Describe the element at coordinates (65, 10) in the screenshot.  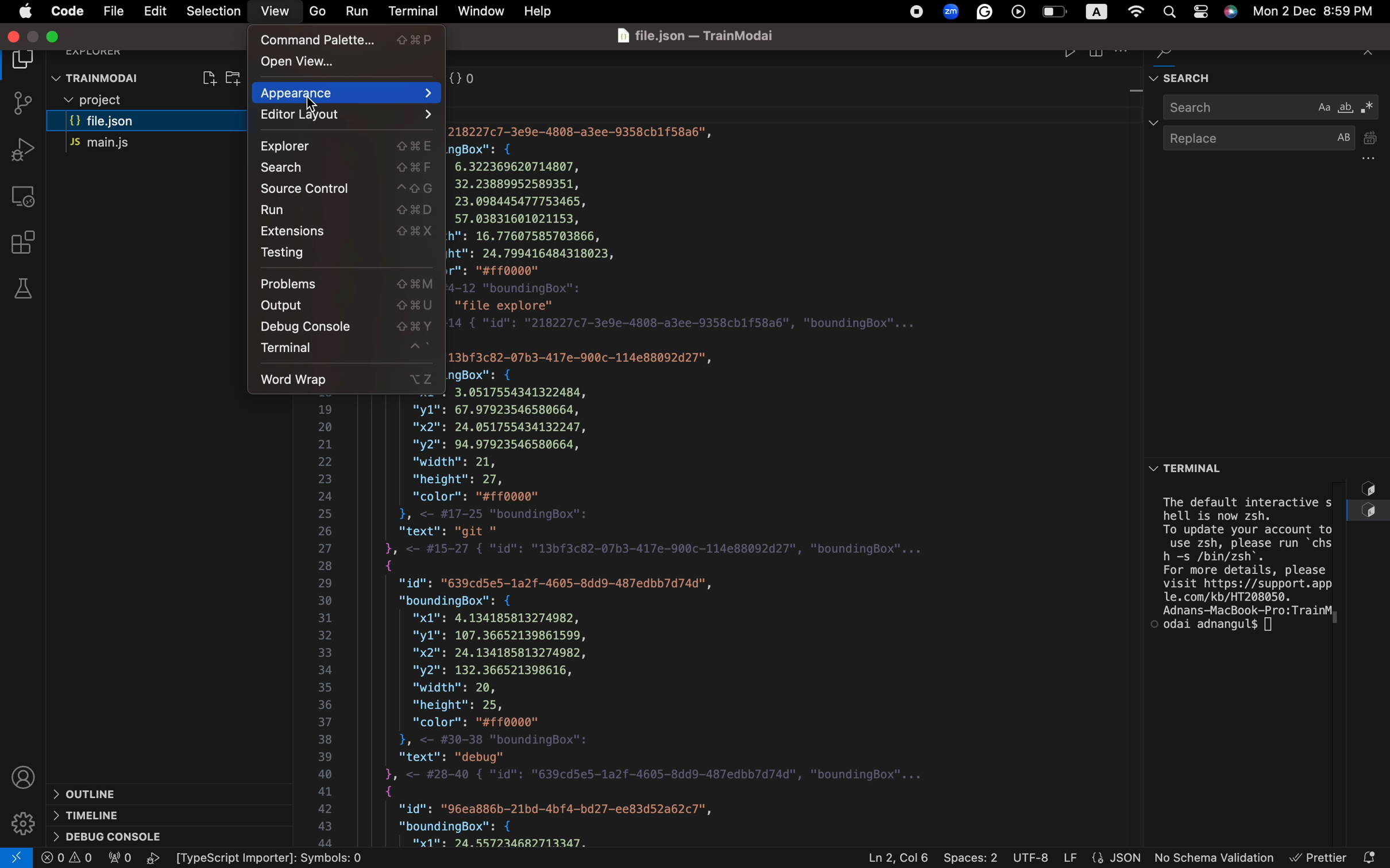
I see `code` at that location.